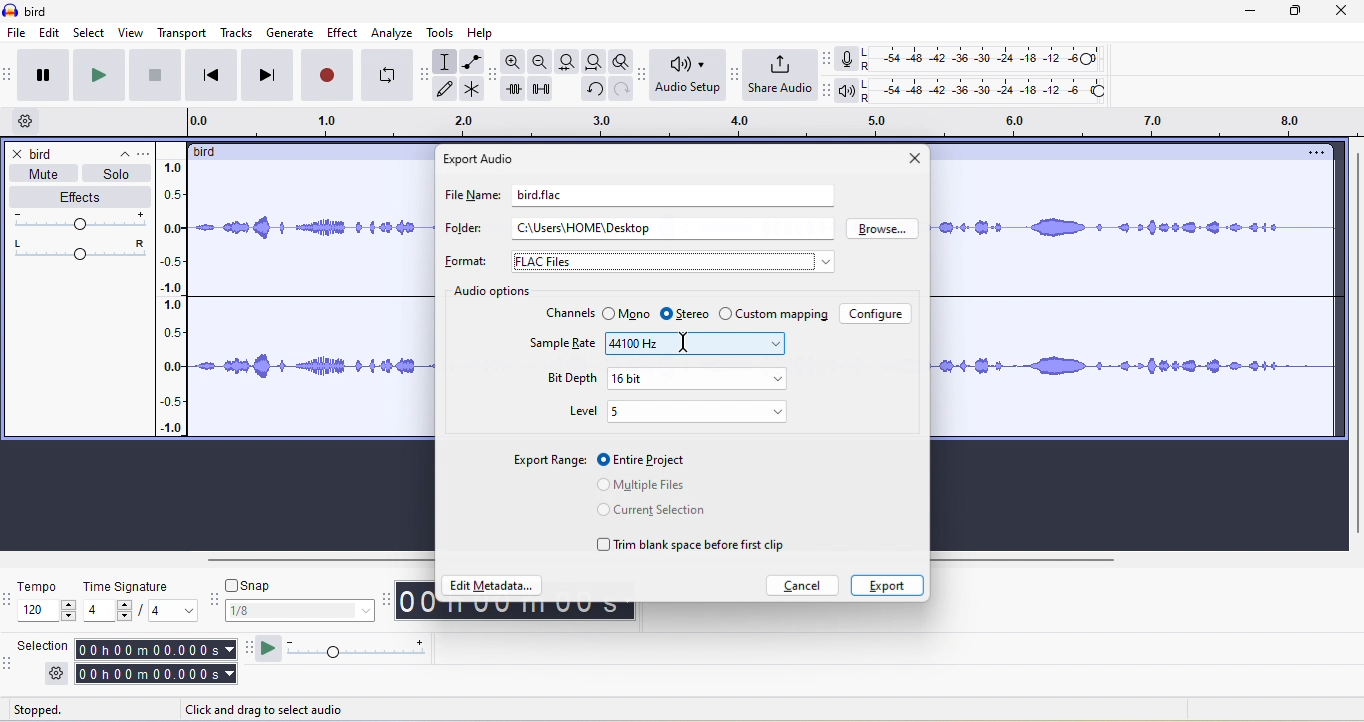 Image resolution: width=1364 pixels, height=722 pixels. What do you see at coordinates (547, 93) in the screenshot?
I see `silence audio selection` at bounding box center [547, 93].